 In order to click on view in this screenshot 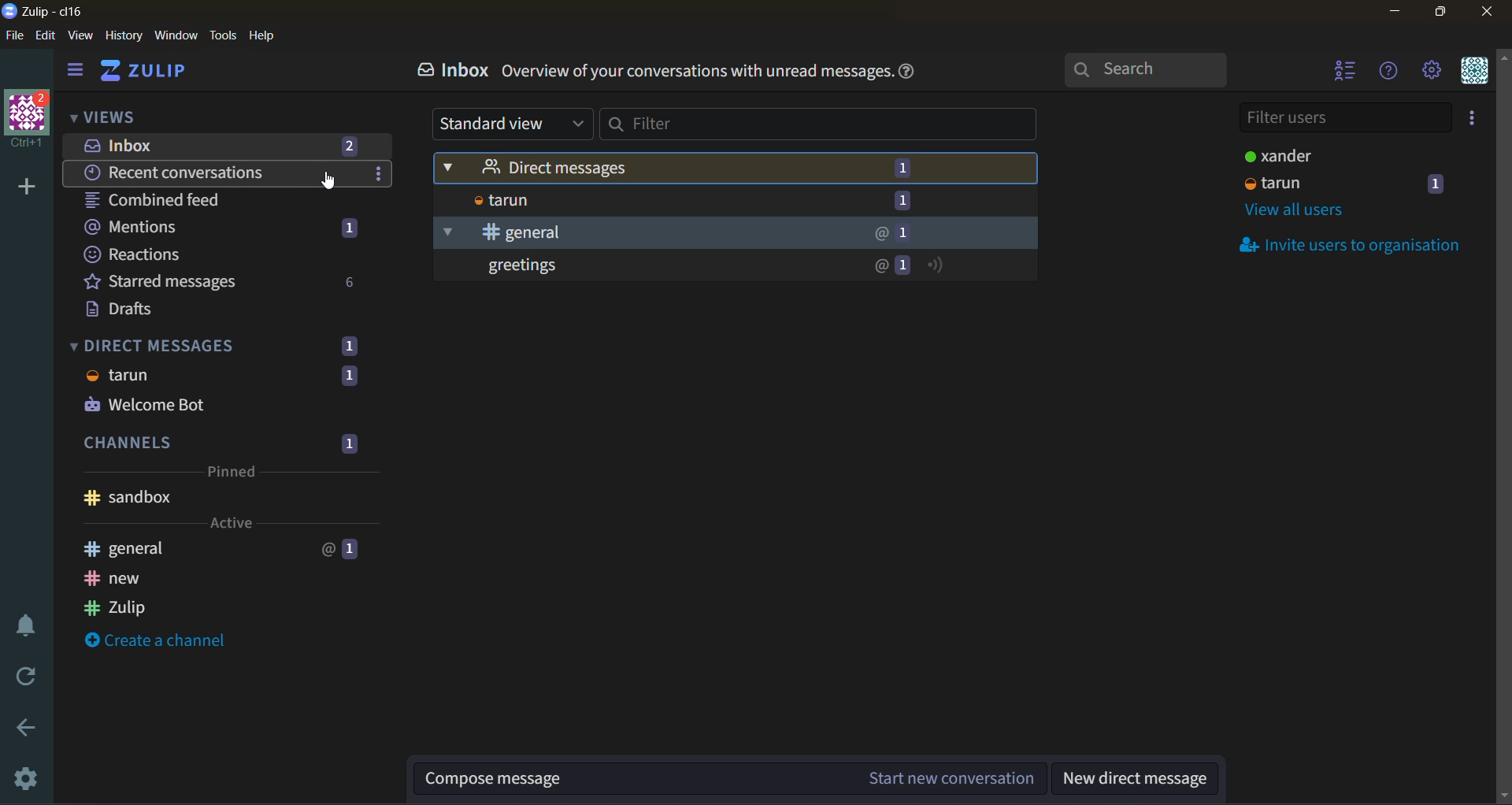, I will do `click(82, 34)`.